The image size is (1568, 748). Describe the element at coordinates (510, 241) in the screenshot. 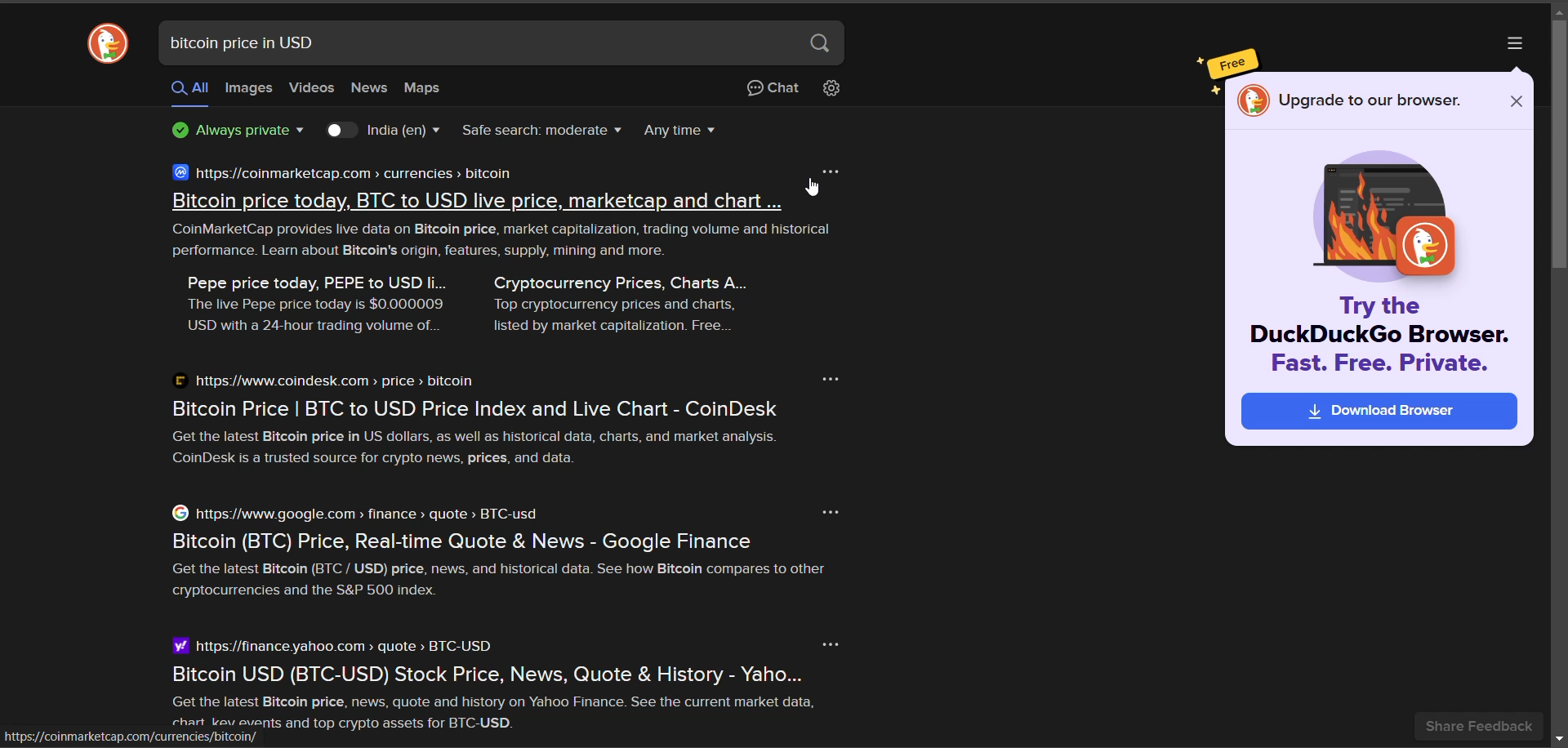

I see `CoinMarketCap provides live data on Bitcoin price, market capitalization, trading volume and historical
performance. Learn about Bitcoin's origin, features, supply, mining and more.` at that location.